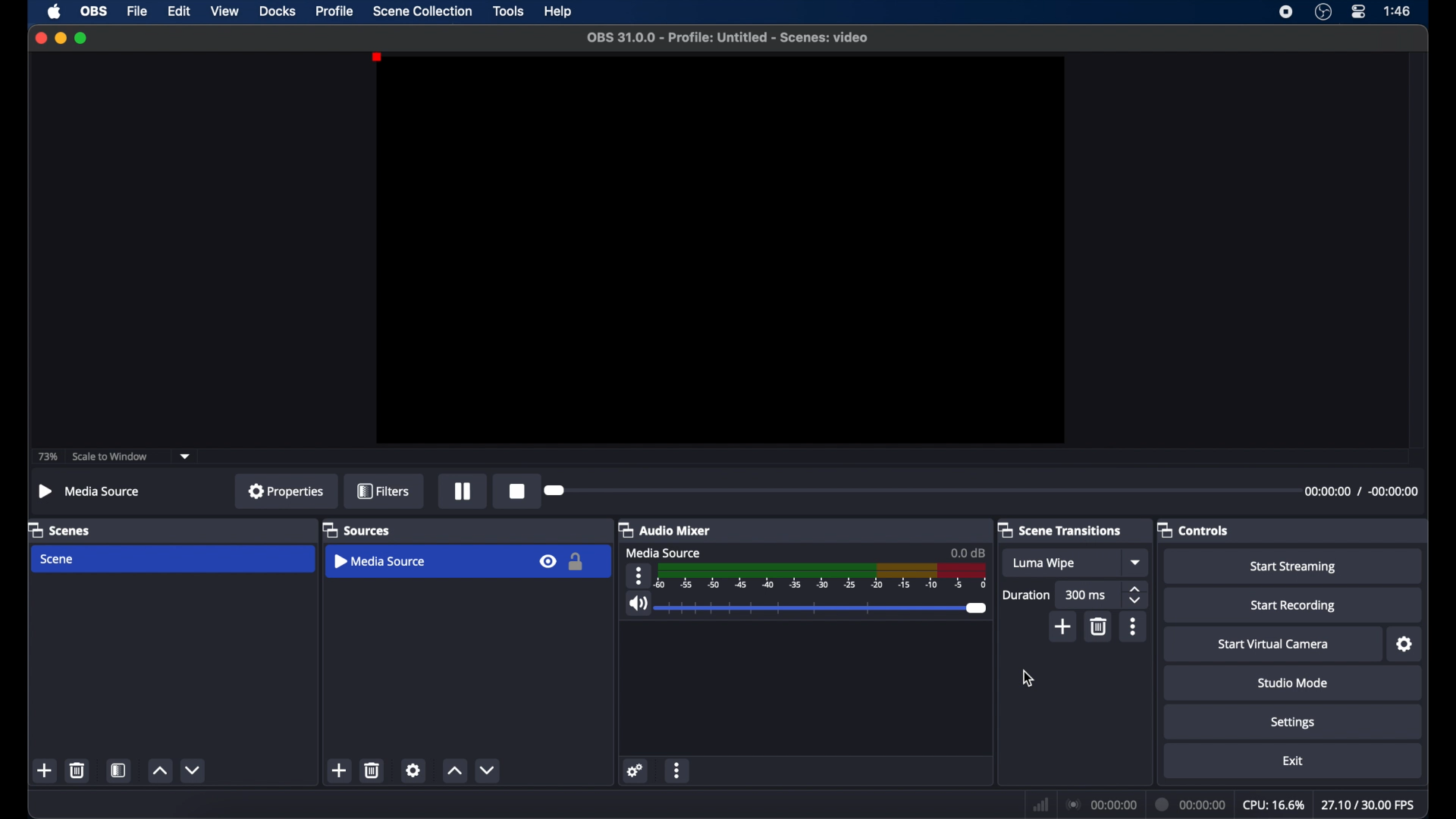  I want to click on 0.0, so click(968, 552).